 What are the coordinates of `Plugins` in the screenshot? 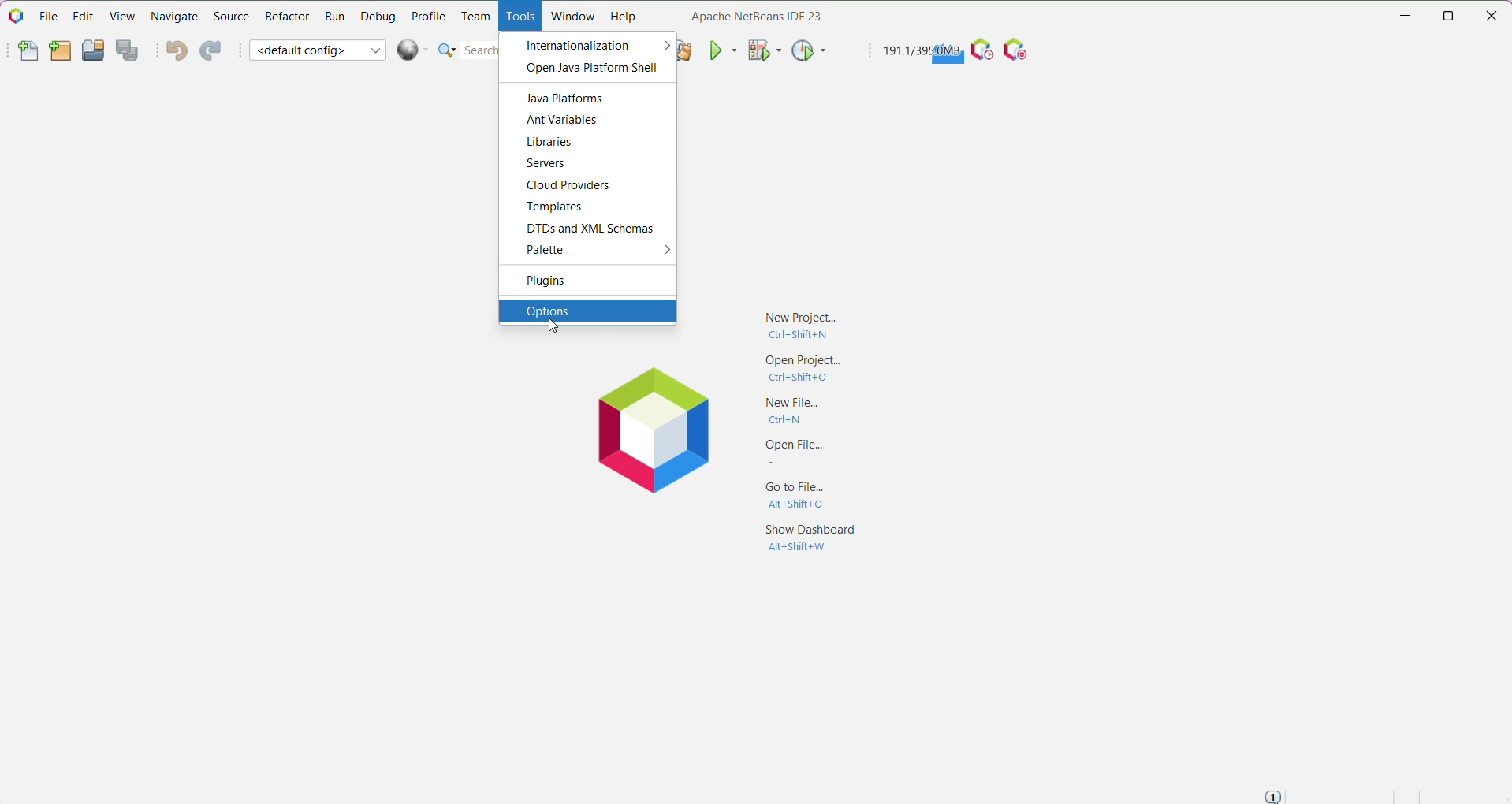 It's located at (557, 281).